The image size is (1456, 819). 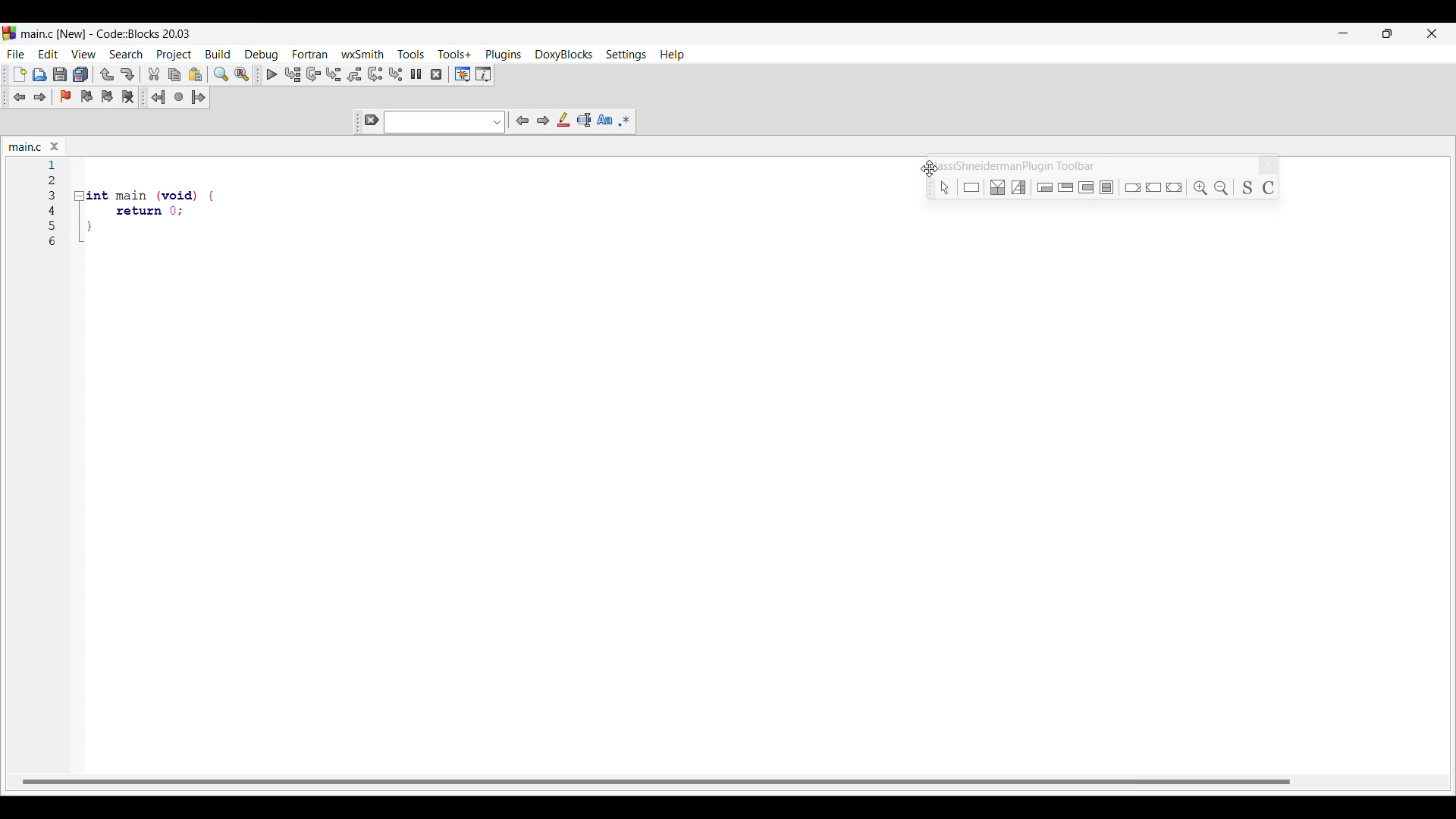 I want to click on , so click(x=1066, y=188).